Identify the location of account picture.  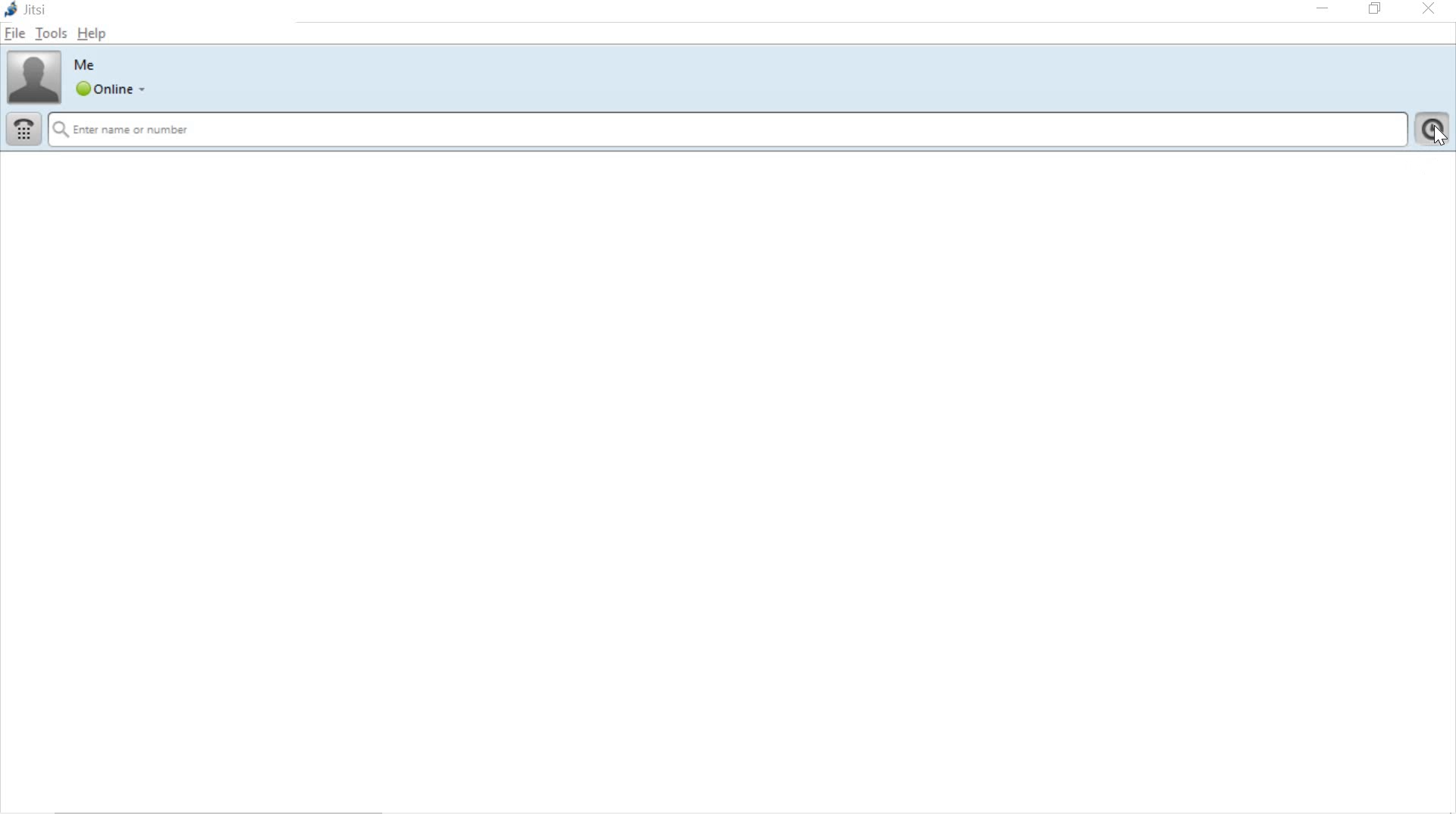
(33, 76).